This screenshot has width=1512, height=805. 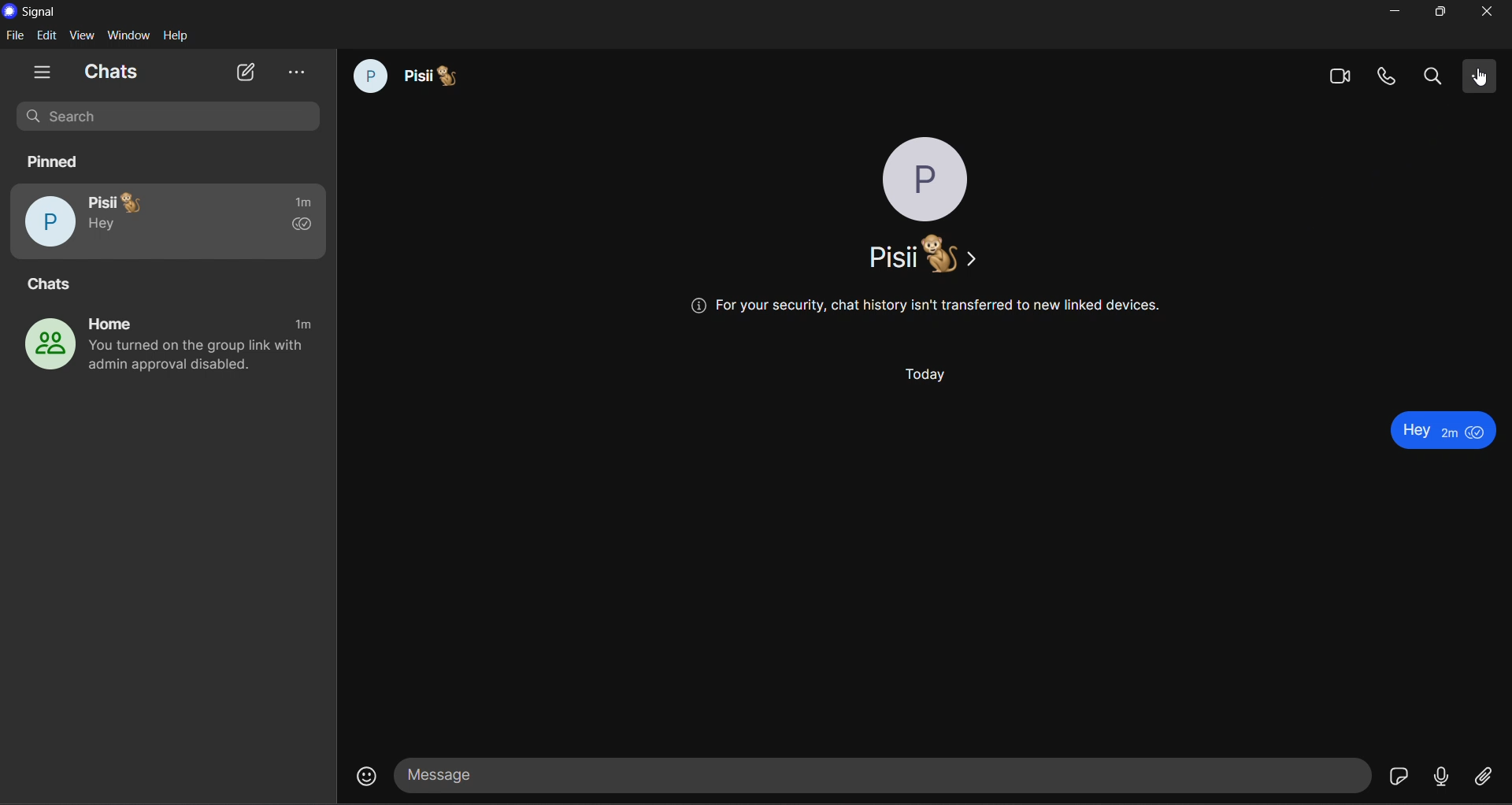 I want to click on new chat, so click(x=247, y=71).